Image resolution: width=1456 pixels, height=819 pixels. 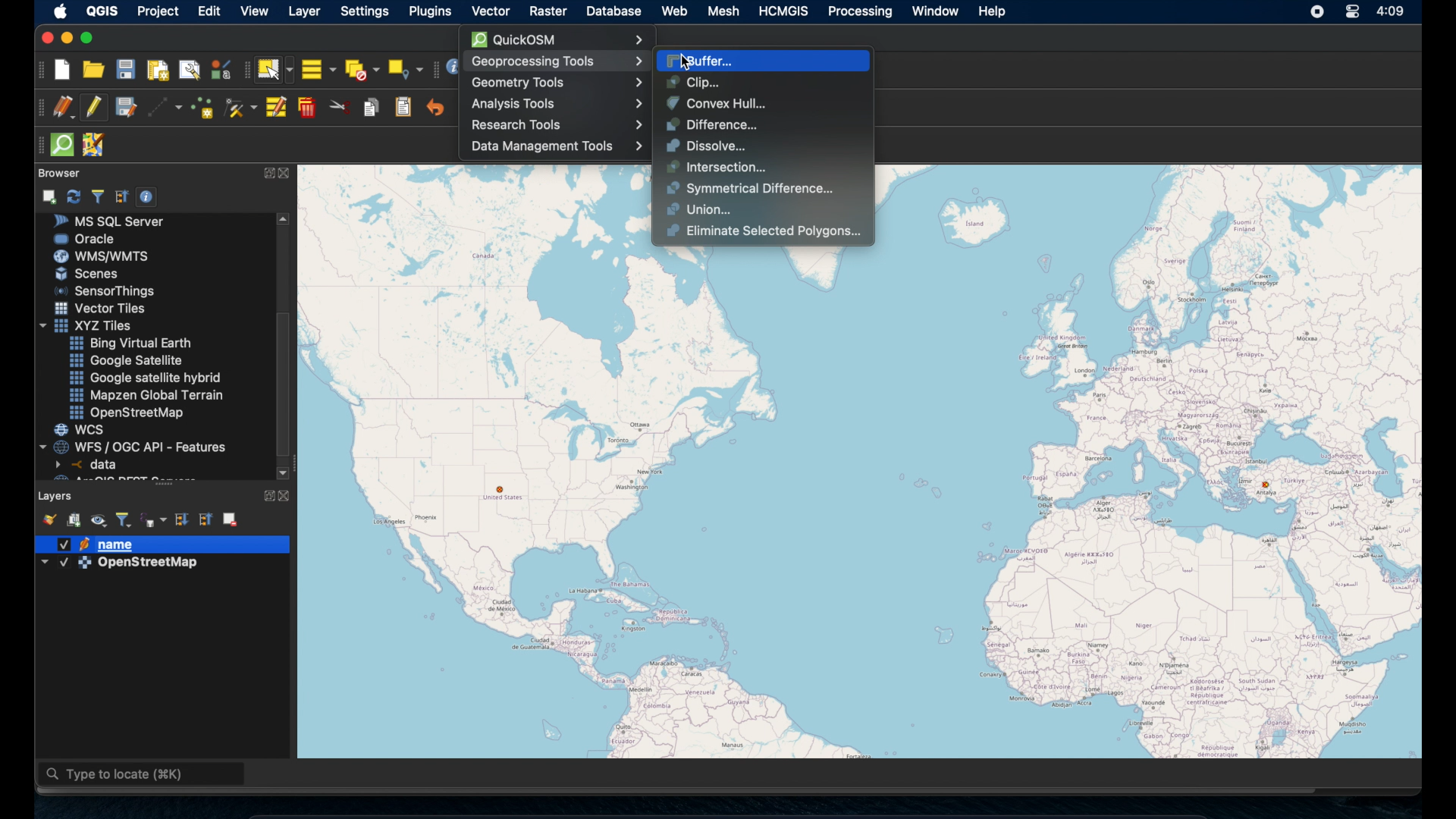 What do you see at coordinates (89, 325) in the screenshot?
I see `xyz tiles menu` at bounding box center [89, 325].